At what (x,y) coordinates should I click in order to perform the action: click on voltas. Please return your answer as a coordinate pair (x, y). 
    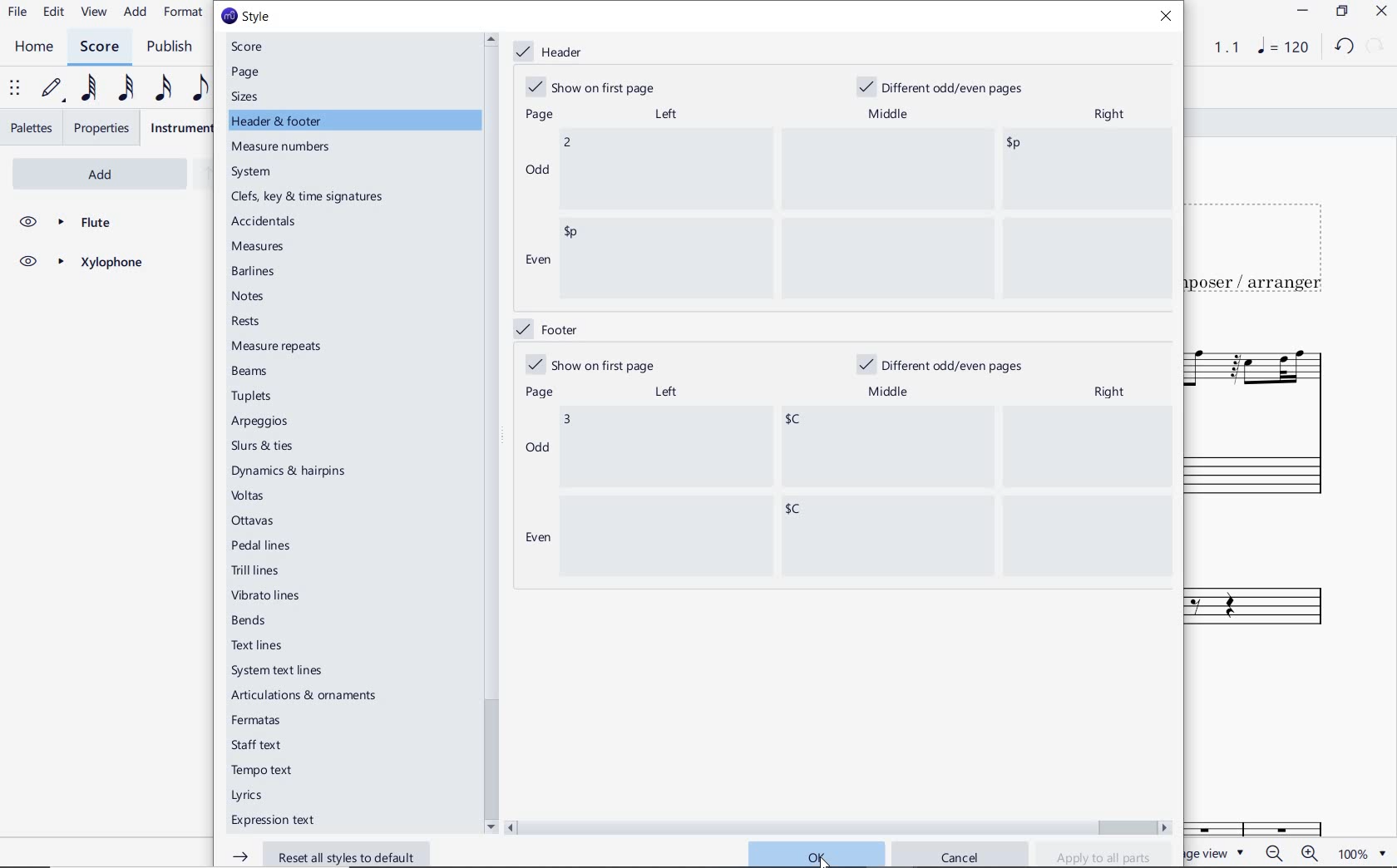
    Looking at the image, I should click on (249, 496).